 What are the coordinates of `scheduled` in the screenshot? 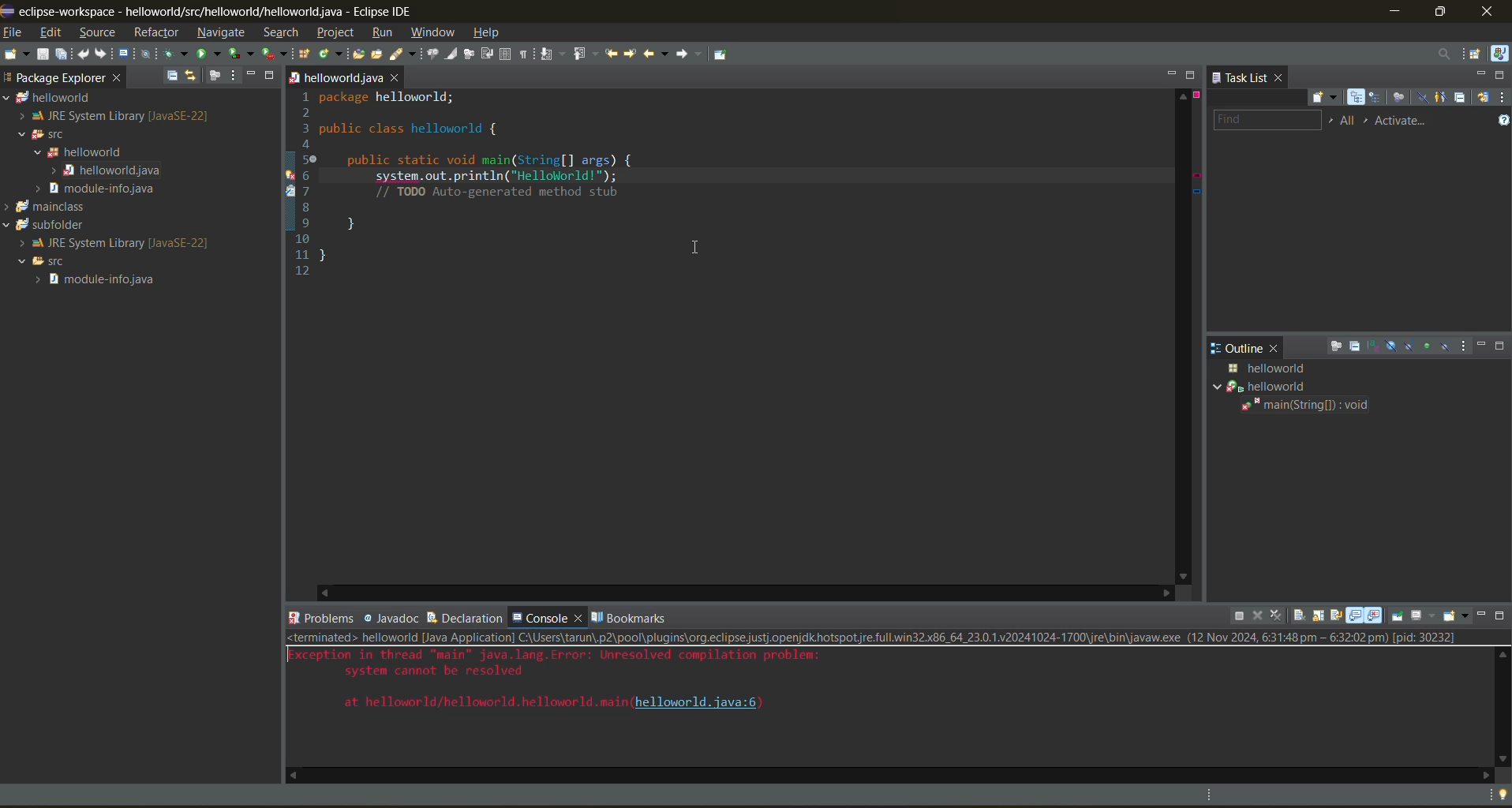 It's located at (1376, 97).